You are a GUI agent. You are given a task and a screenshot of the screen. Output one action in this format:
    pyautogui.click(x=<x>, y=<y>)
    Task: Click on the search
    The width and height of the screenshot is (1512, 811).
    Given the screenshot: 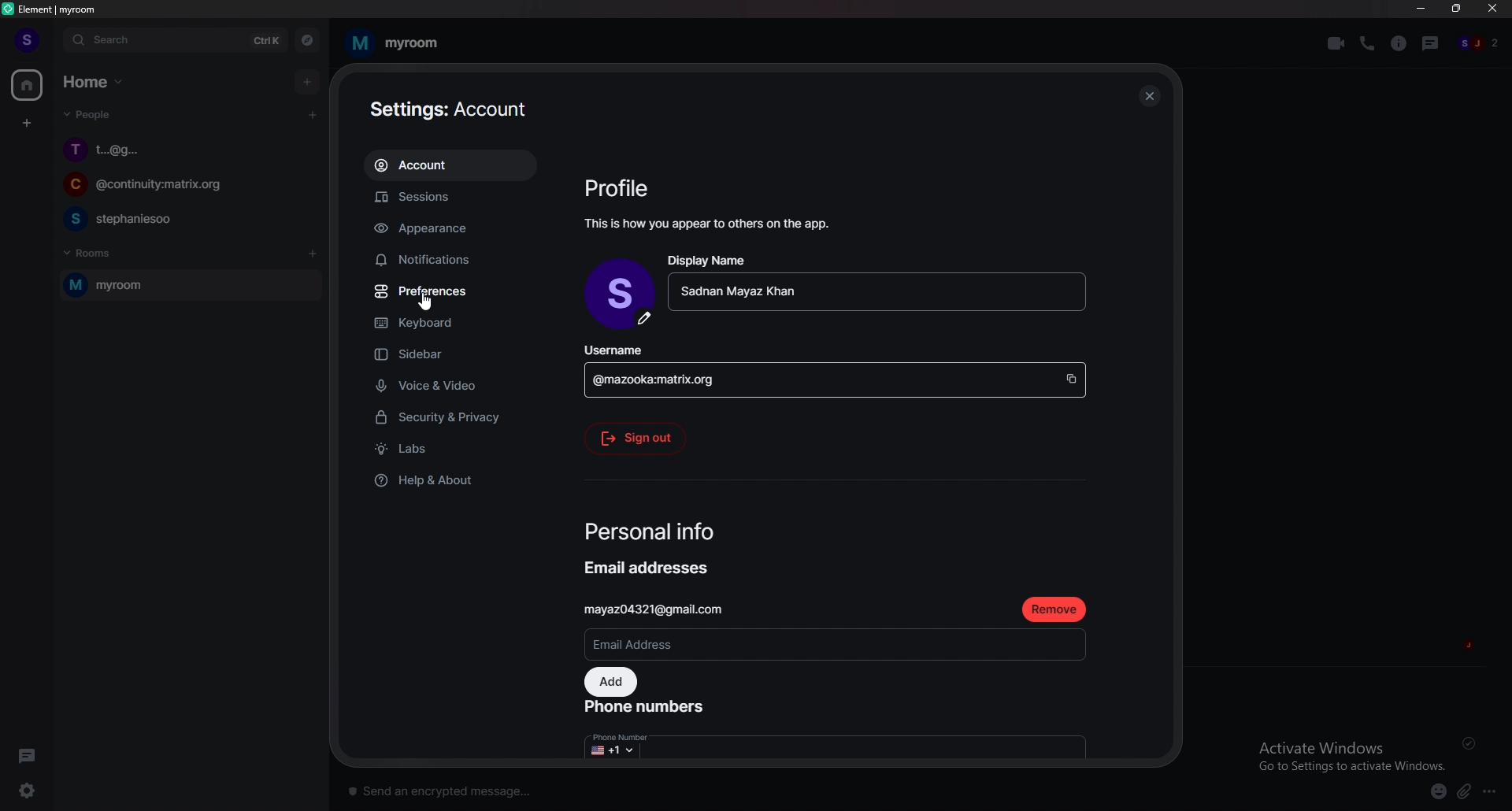 What is the action you would take?
    pyautogui.click(x=174, y=40)
    